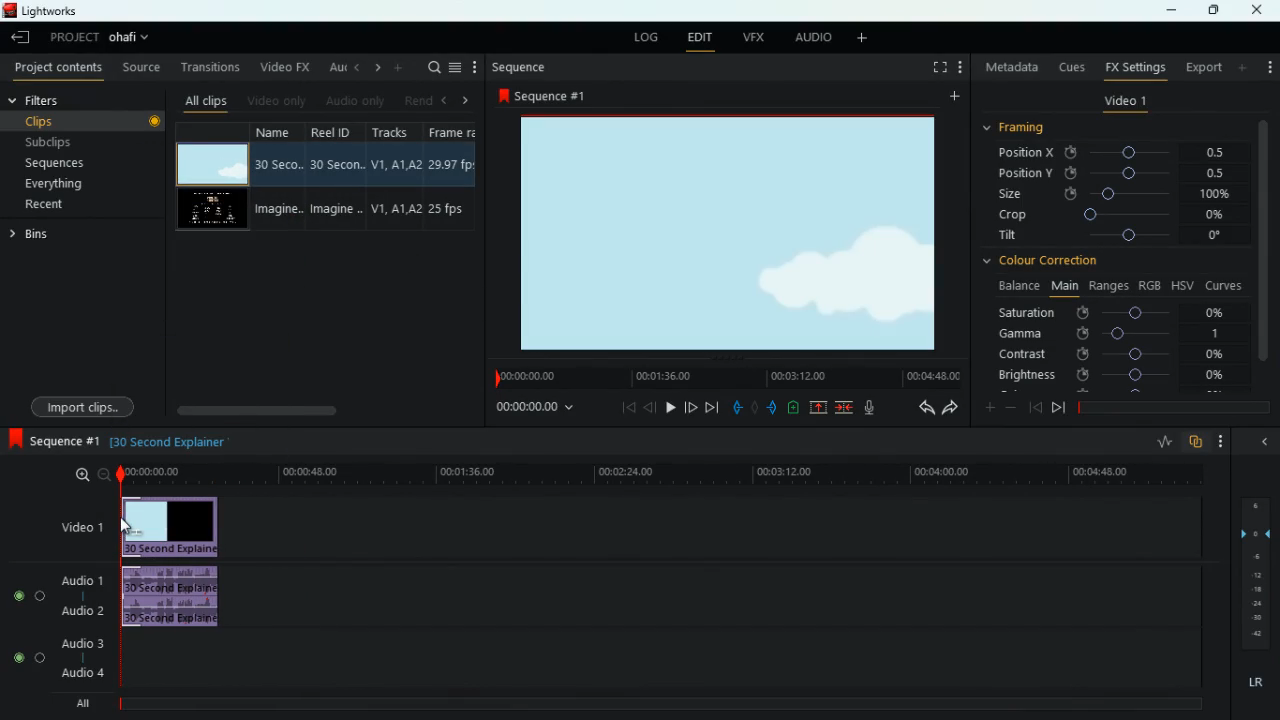 The image size is (1280, 720). What do you see at coordinates (207, 66) in the screenshot?
I see `transitions` at bounding box center [207, 66].